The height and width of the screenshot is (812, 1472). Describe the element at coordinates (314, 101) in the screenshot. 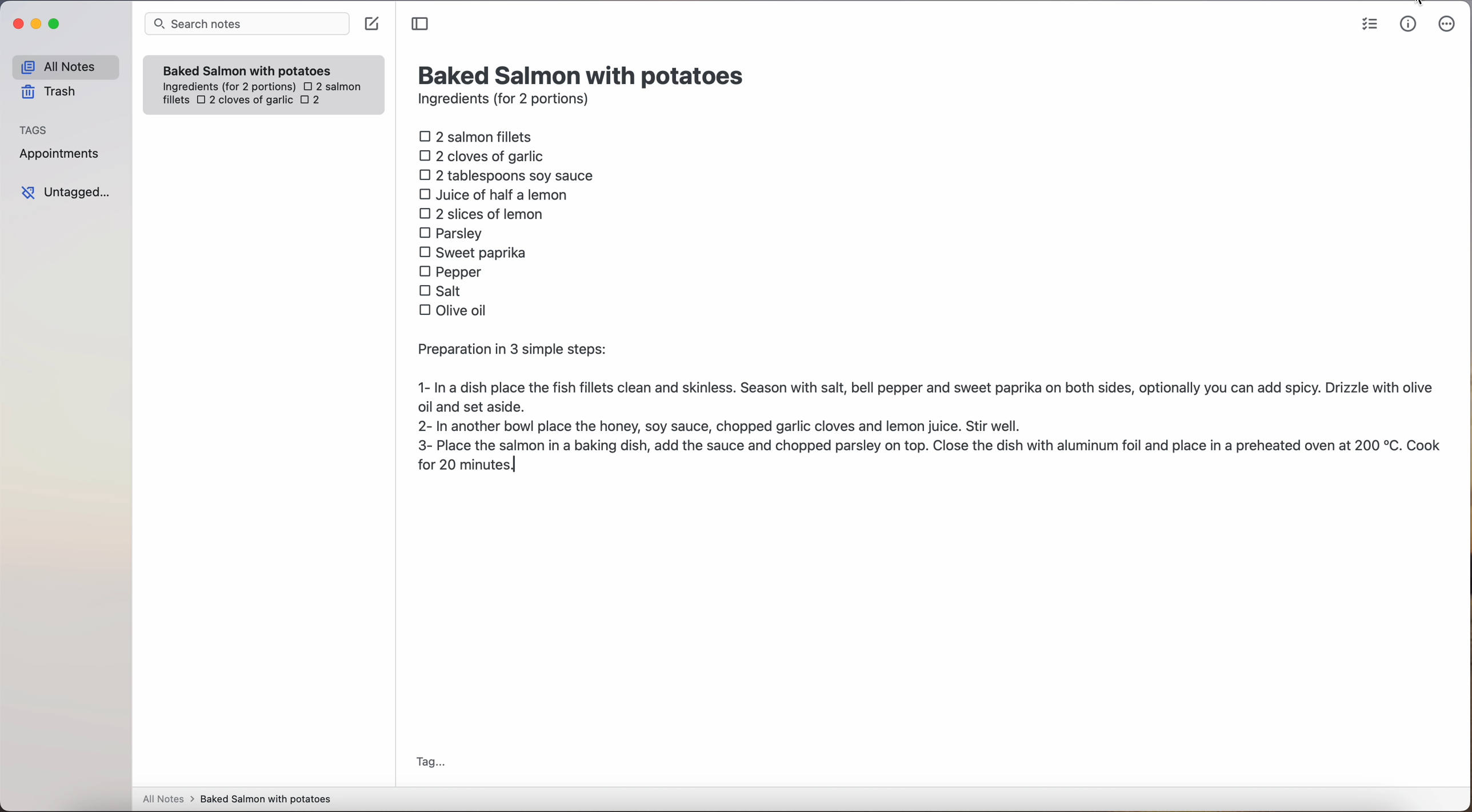

I see `2 ` at that location.